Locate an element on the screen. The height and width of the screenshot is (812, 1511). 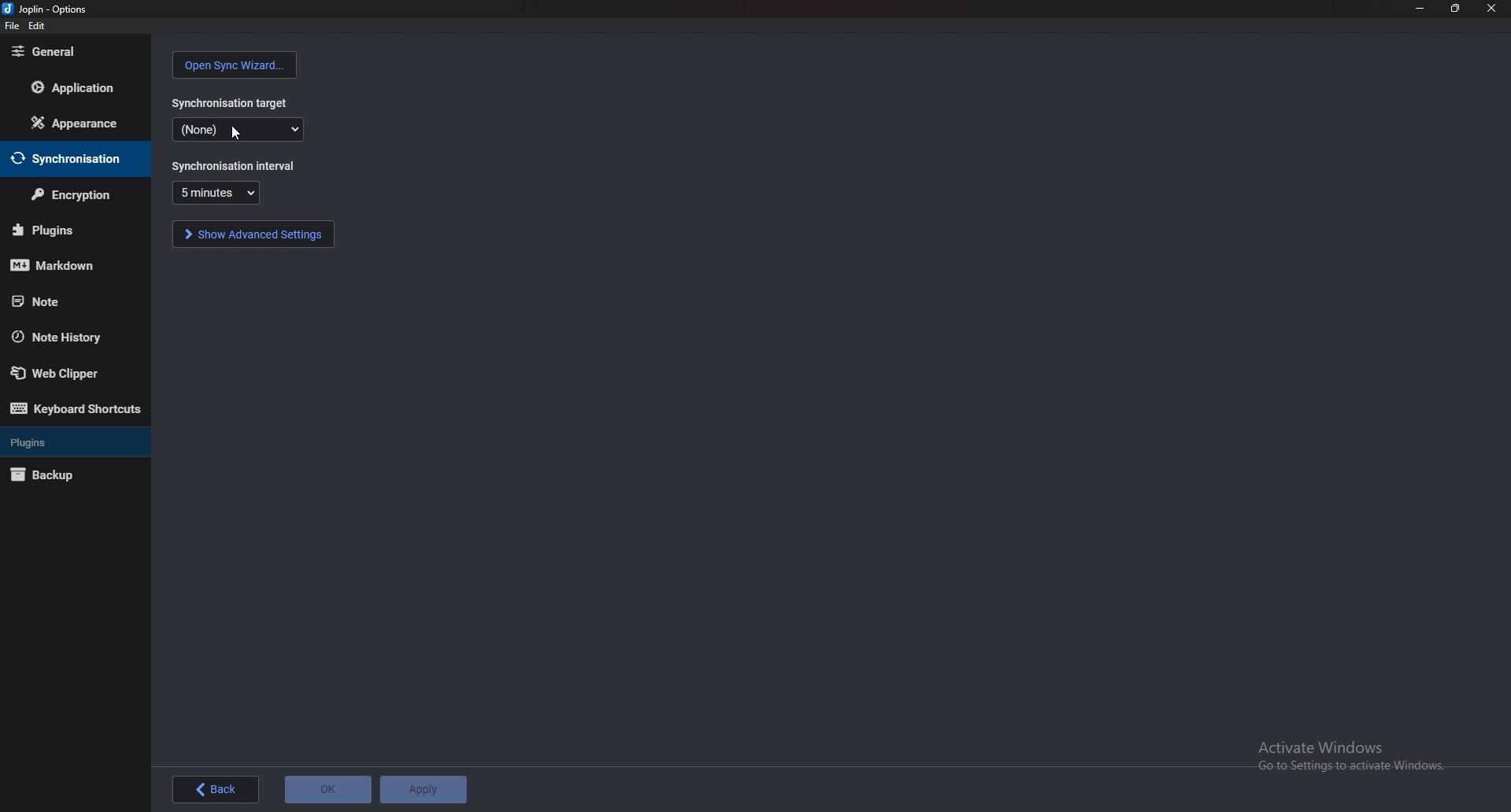
Application is located at coordinates (75, 90).